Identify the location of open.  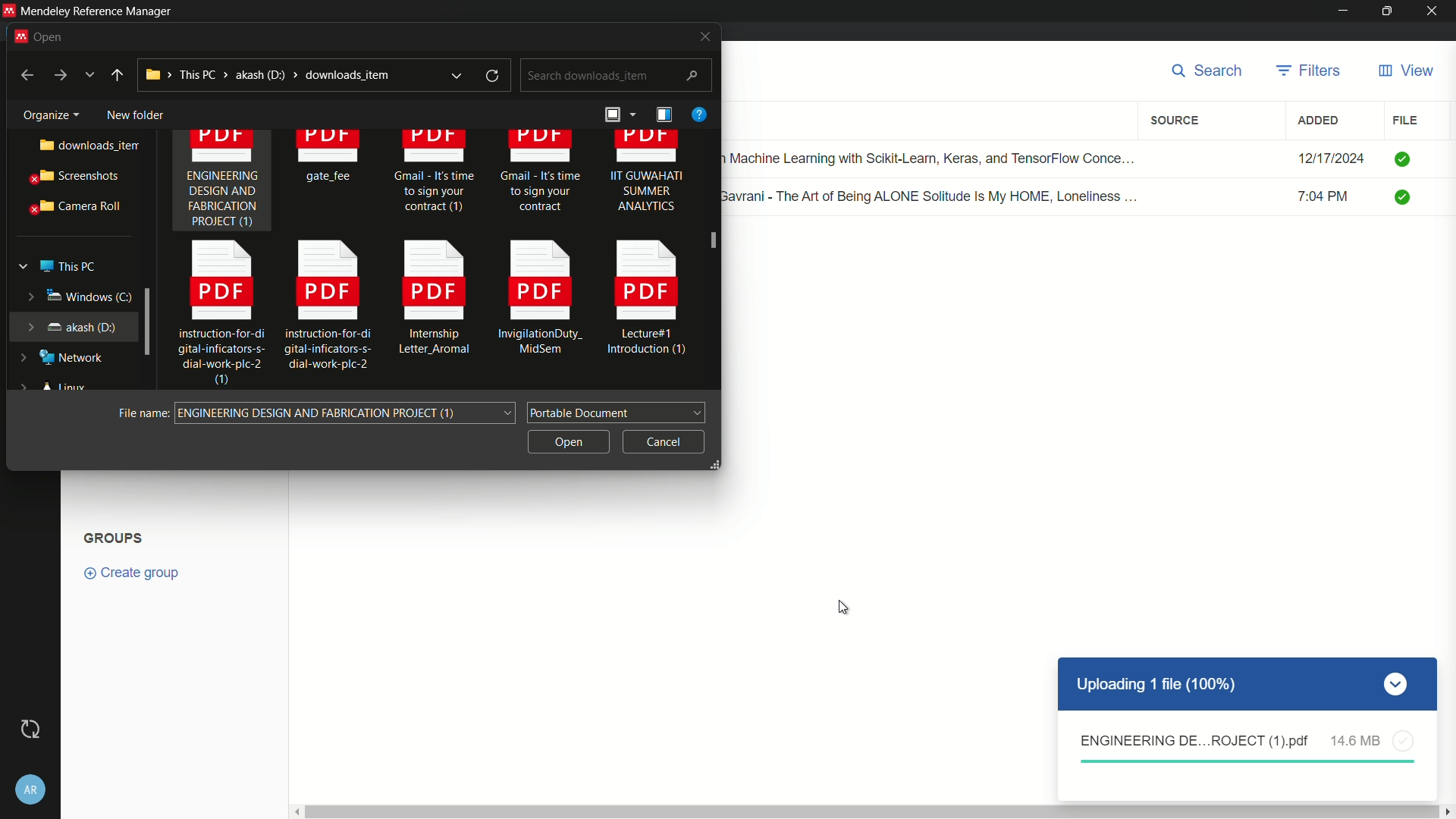
(566, 440).